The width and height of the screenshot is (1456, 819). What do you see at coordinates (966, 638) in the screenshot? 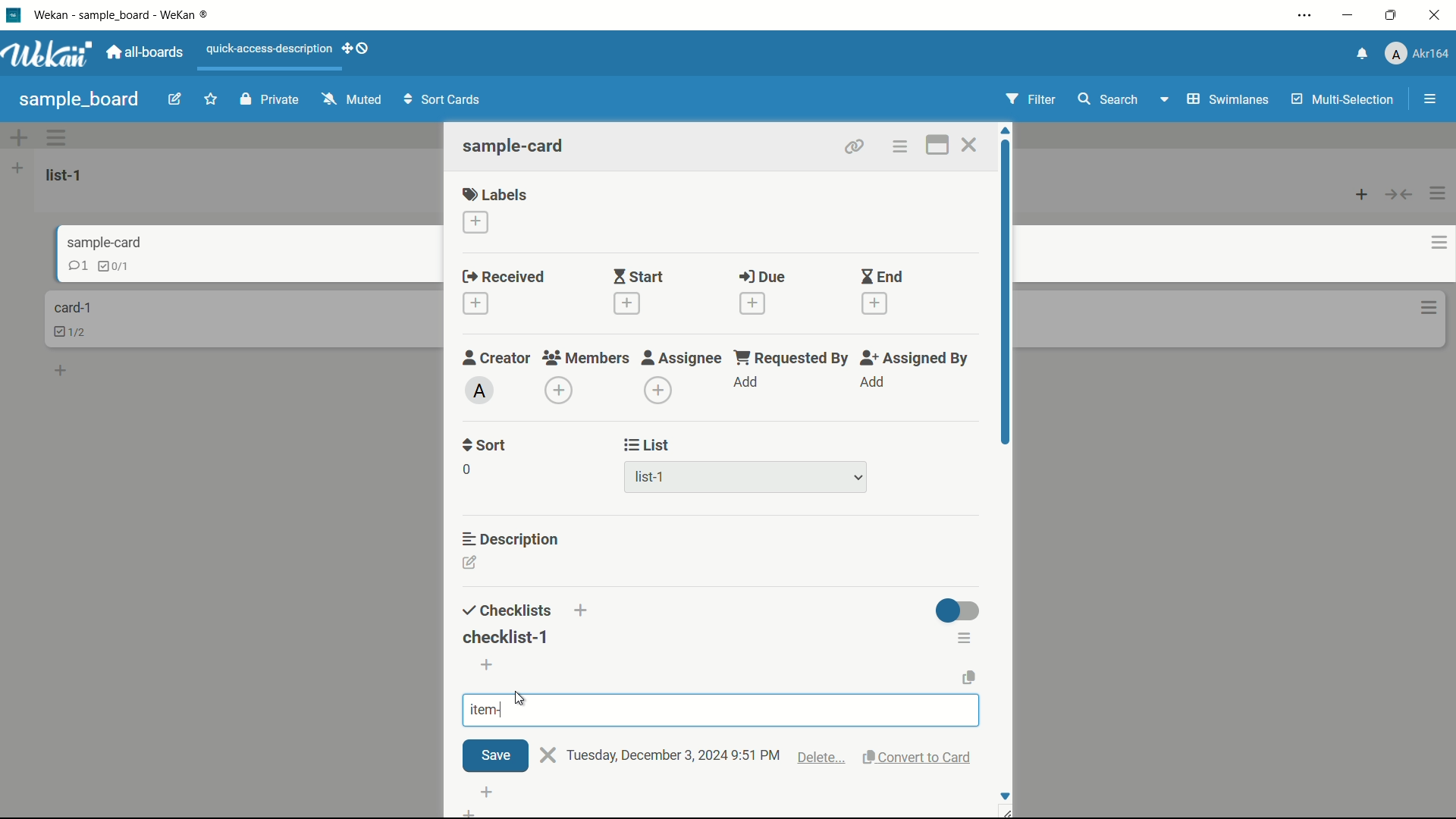
I see `checklist actions` at bounding box center [966, 638].